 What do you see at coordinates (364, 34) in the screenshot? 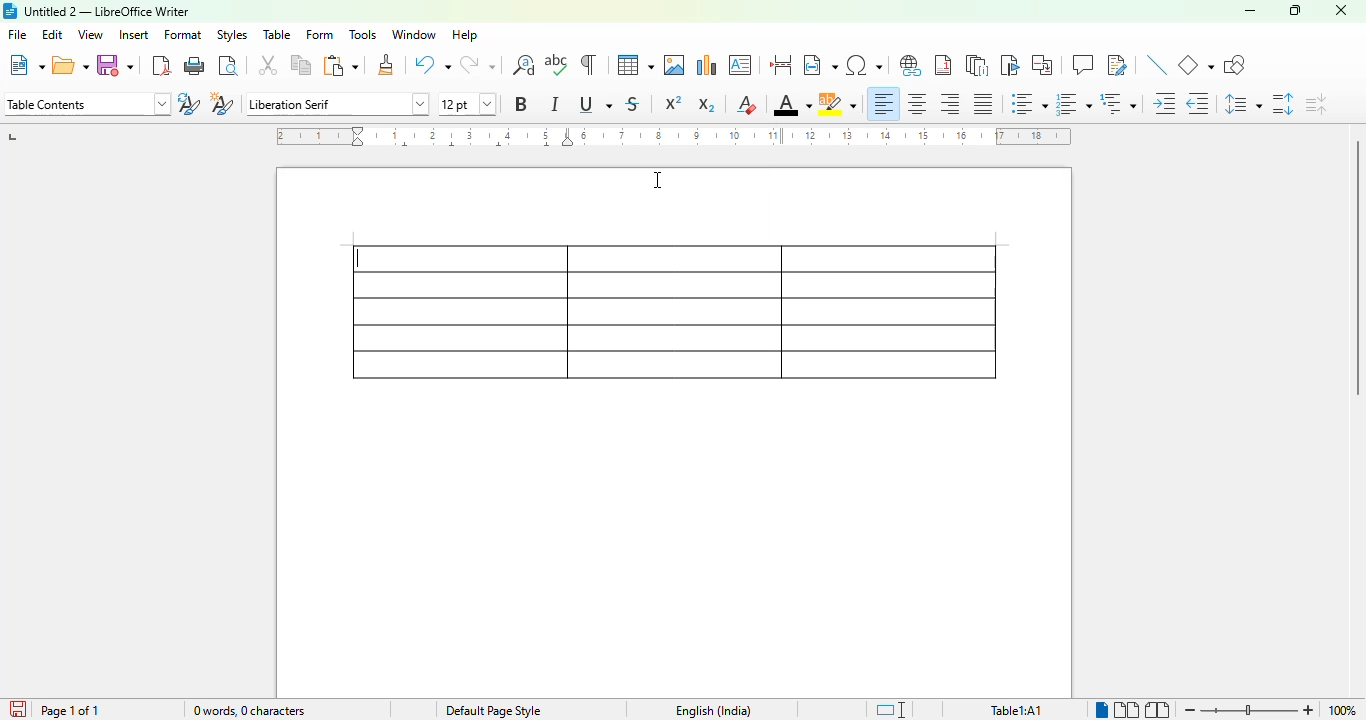
I see `tools` at bounding box center [364, 34].